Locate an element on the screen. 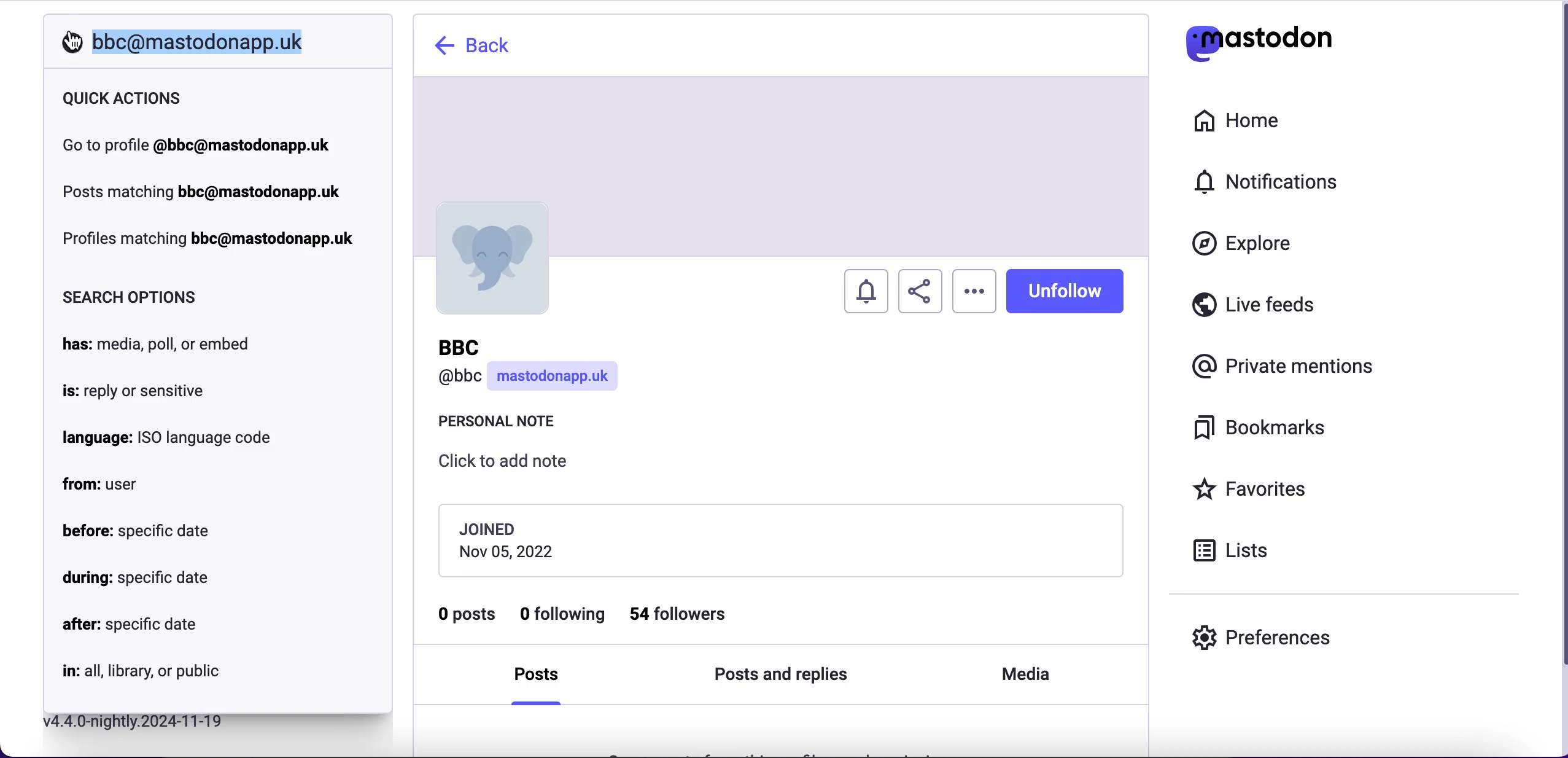 Image resolution: width=1568 pixels, height=758 pixels. posts and replies is located at coordinates (780, 676).